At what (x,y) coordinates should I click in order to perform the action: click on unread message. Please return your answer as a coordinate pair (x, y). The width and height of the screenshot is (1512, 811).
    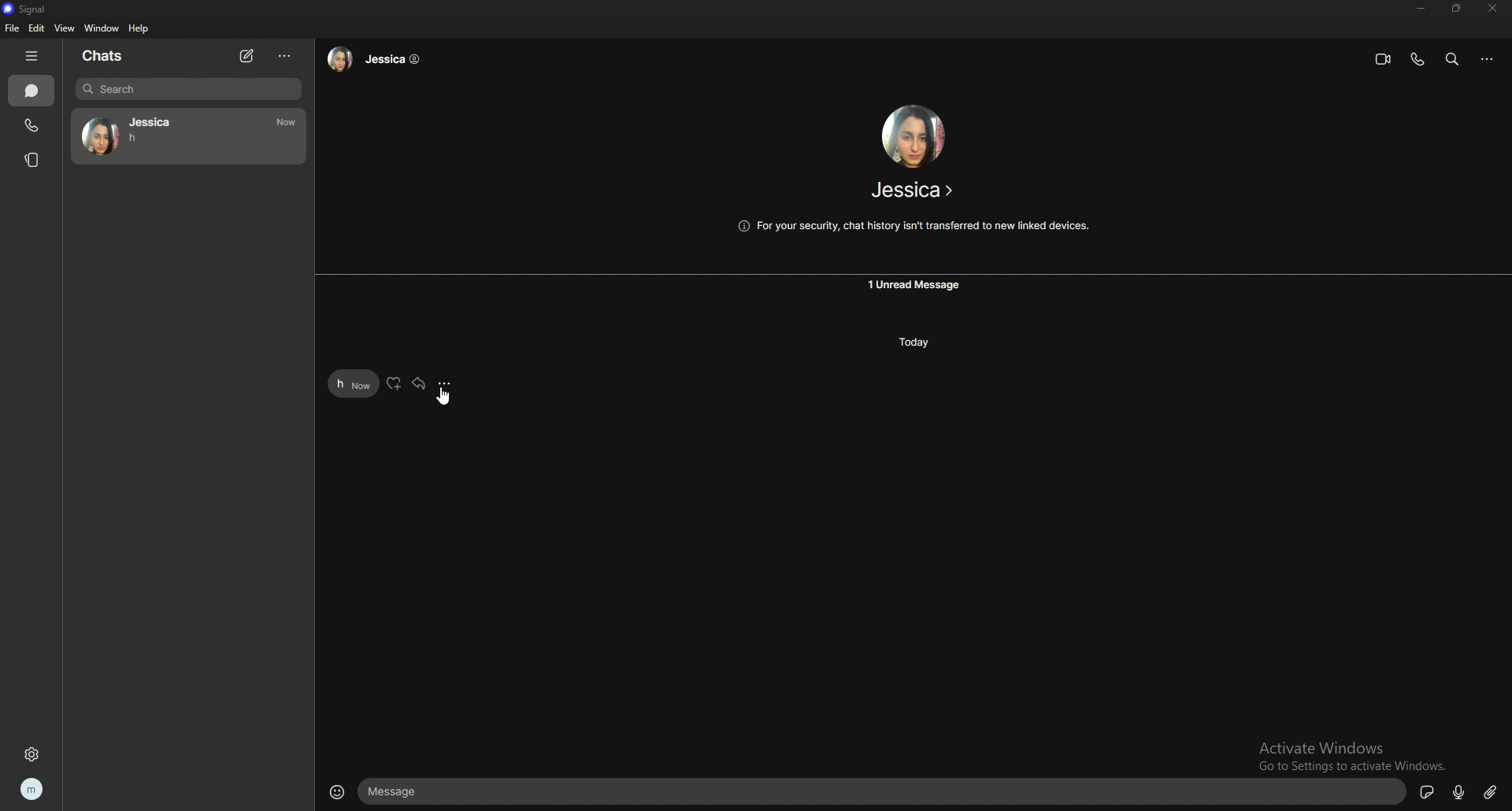
    Looking at the image, I should click on (916, 286).